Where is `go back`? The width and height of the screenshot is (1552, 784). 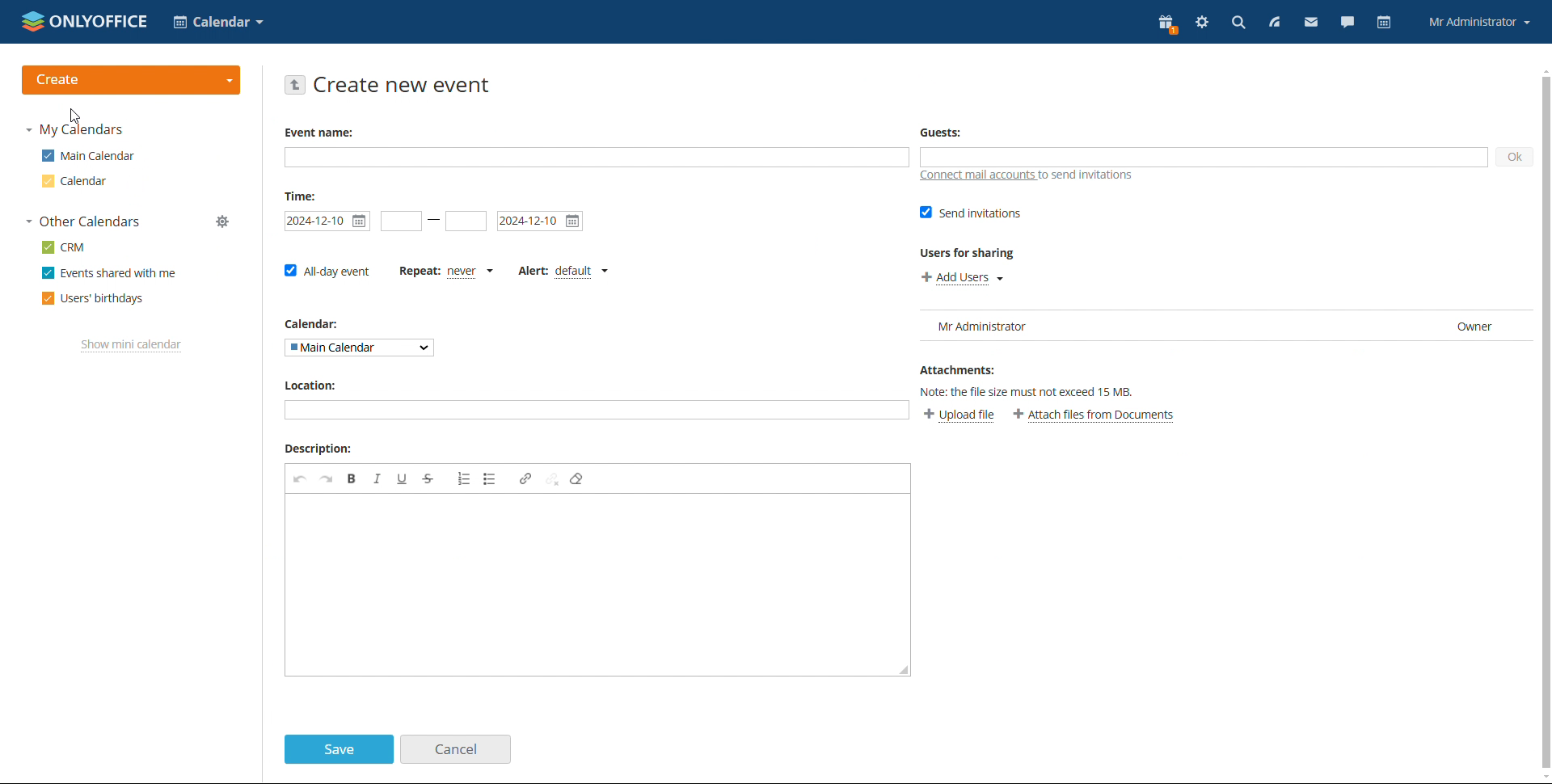
go back is located at coordinates (296, 85).